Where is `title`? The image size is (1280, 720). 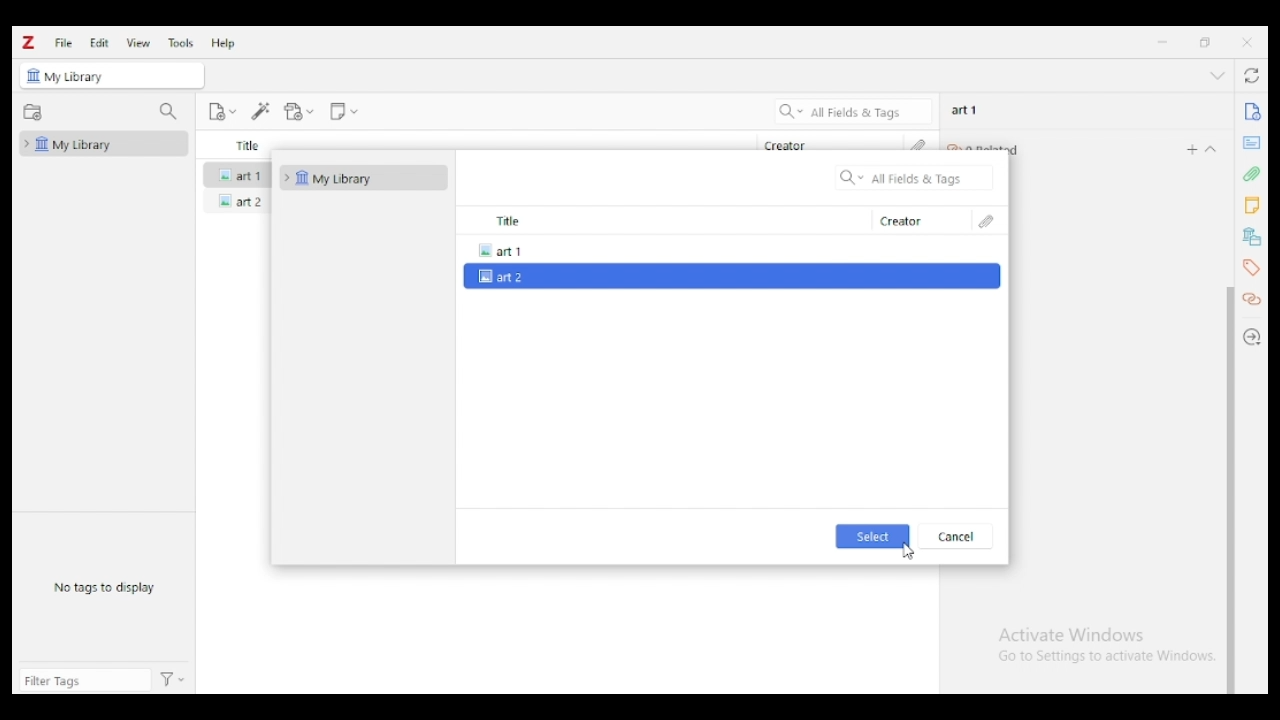
title is located at coordinates (662, 221).